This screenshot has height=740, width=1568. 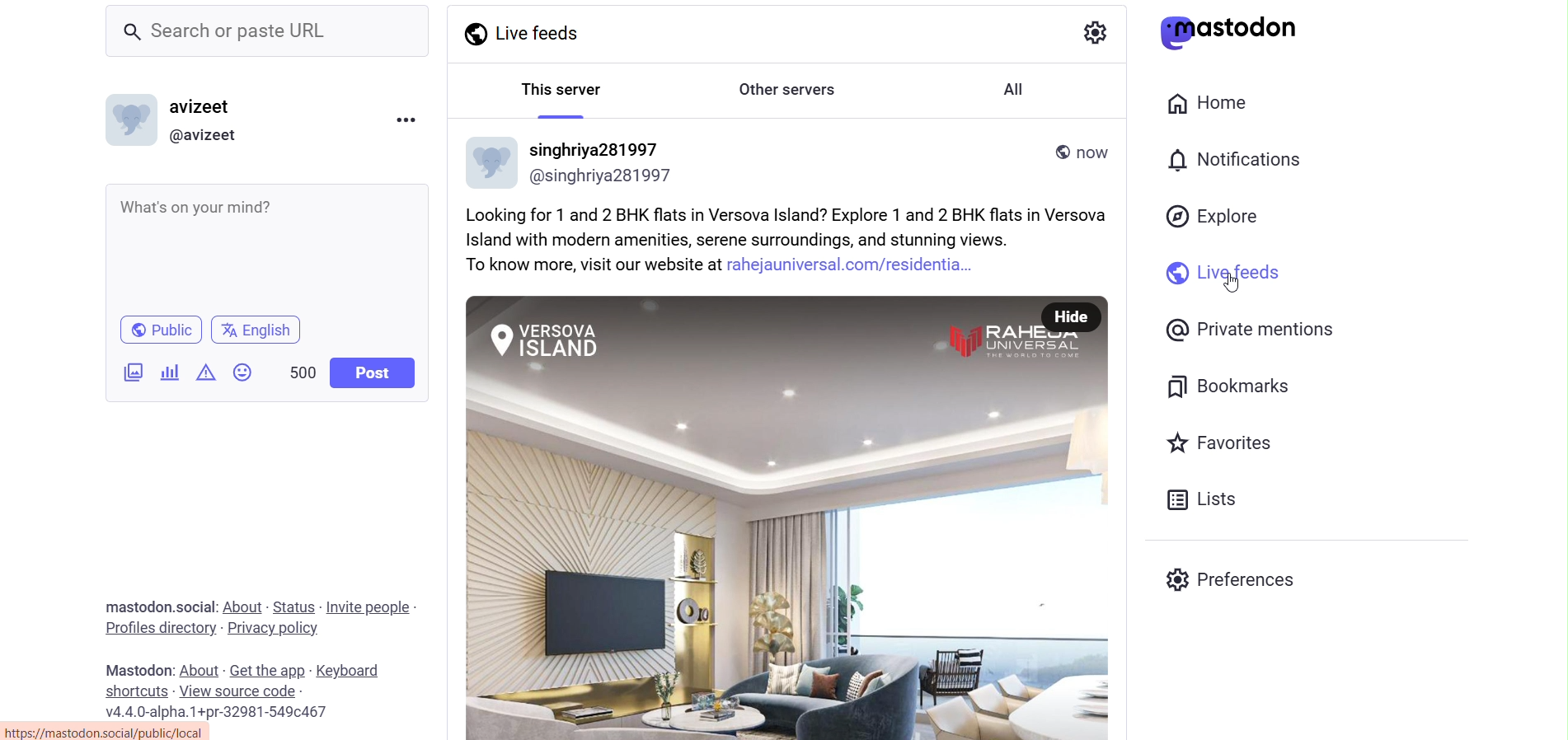 I want to click on explore, so click(x=1216, y=216).